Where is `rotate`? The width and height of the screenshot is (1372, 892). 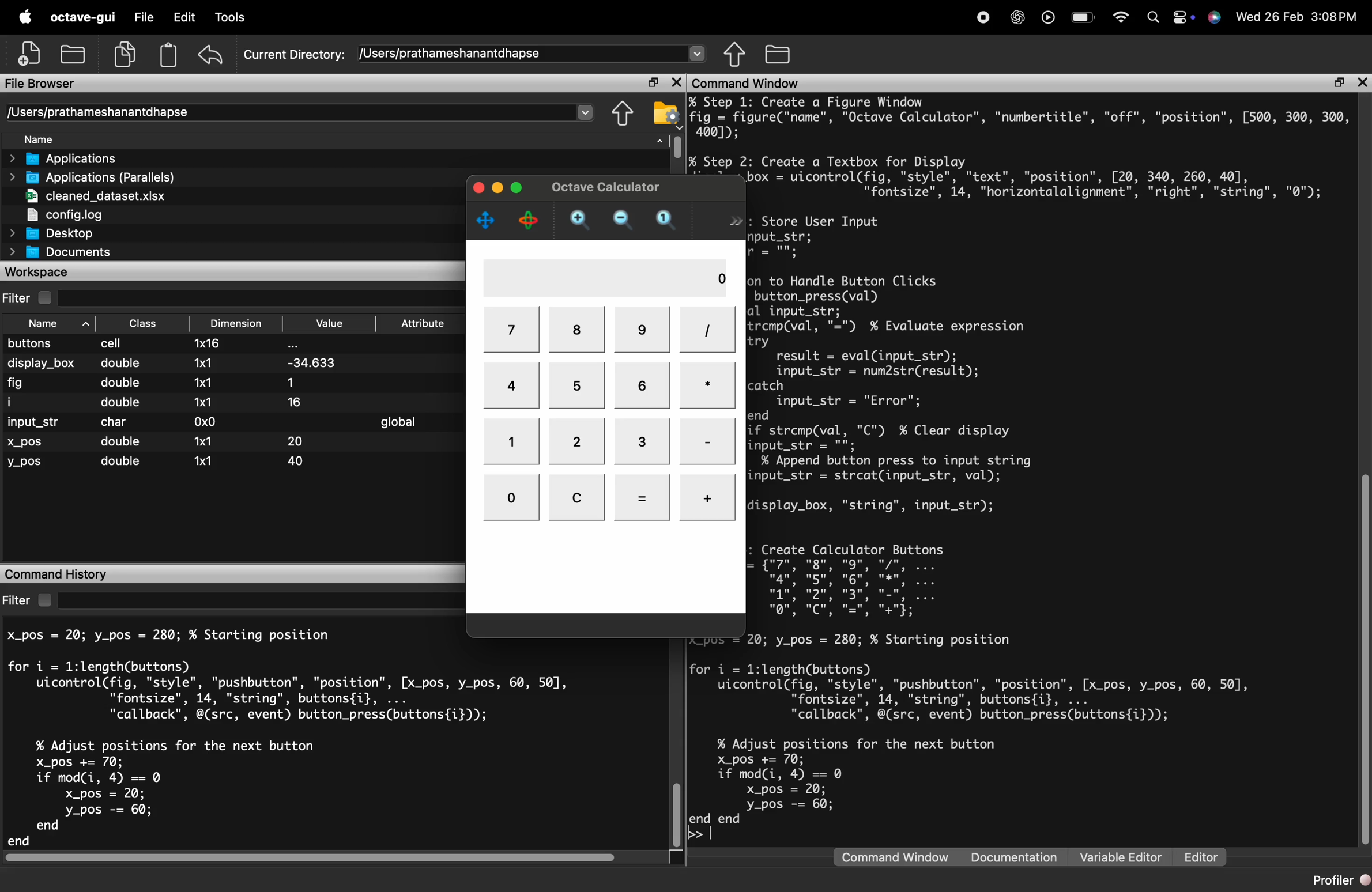
rotate is located at coordinates (529, 221).